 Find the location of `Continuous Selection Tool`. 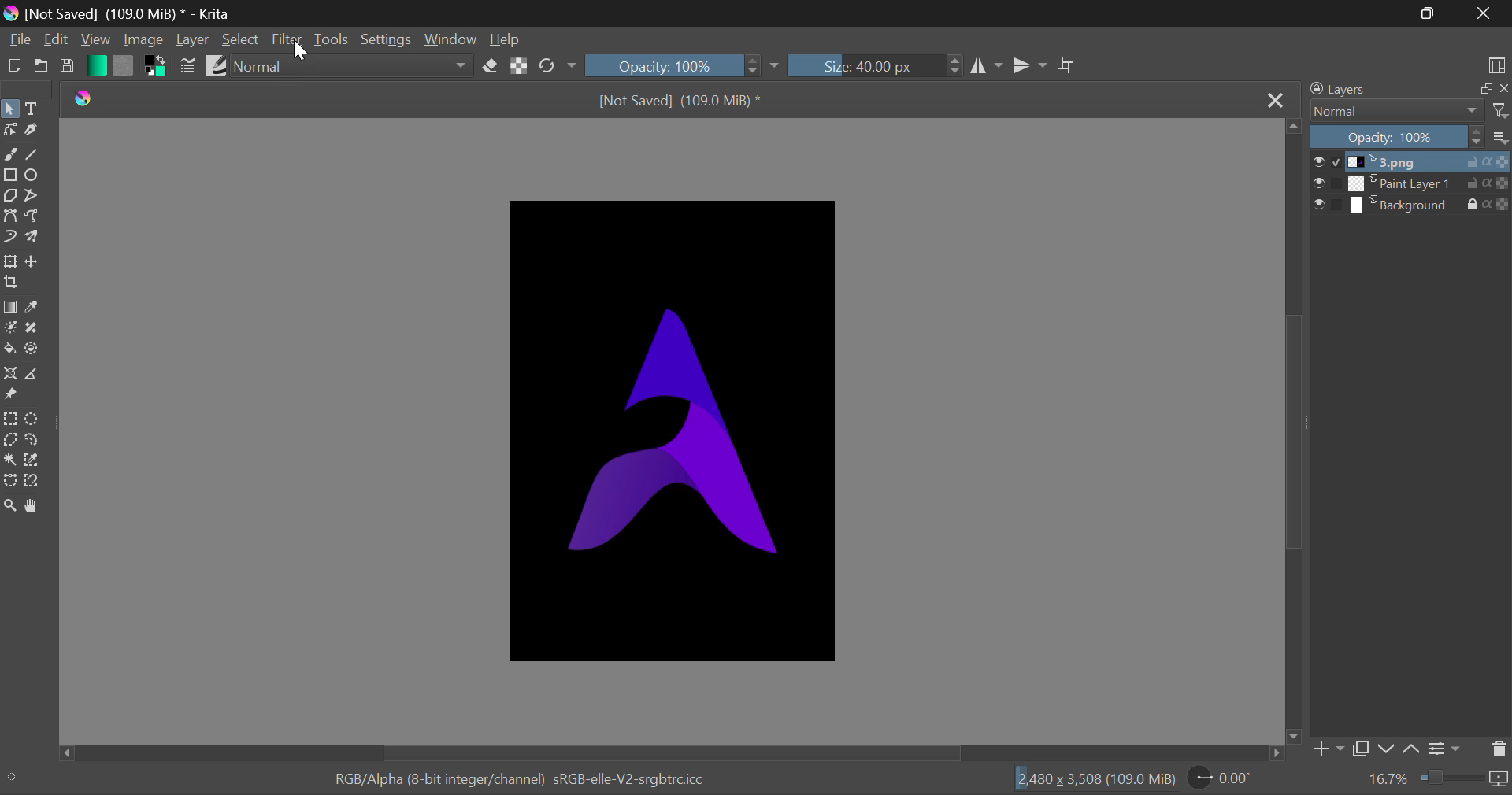

Continuous Selection Tool is located at coordinates (9, 460).